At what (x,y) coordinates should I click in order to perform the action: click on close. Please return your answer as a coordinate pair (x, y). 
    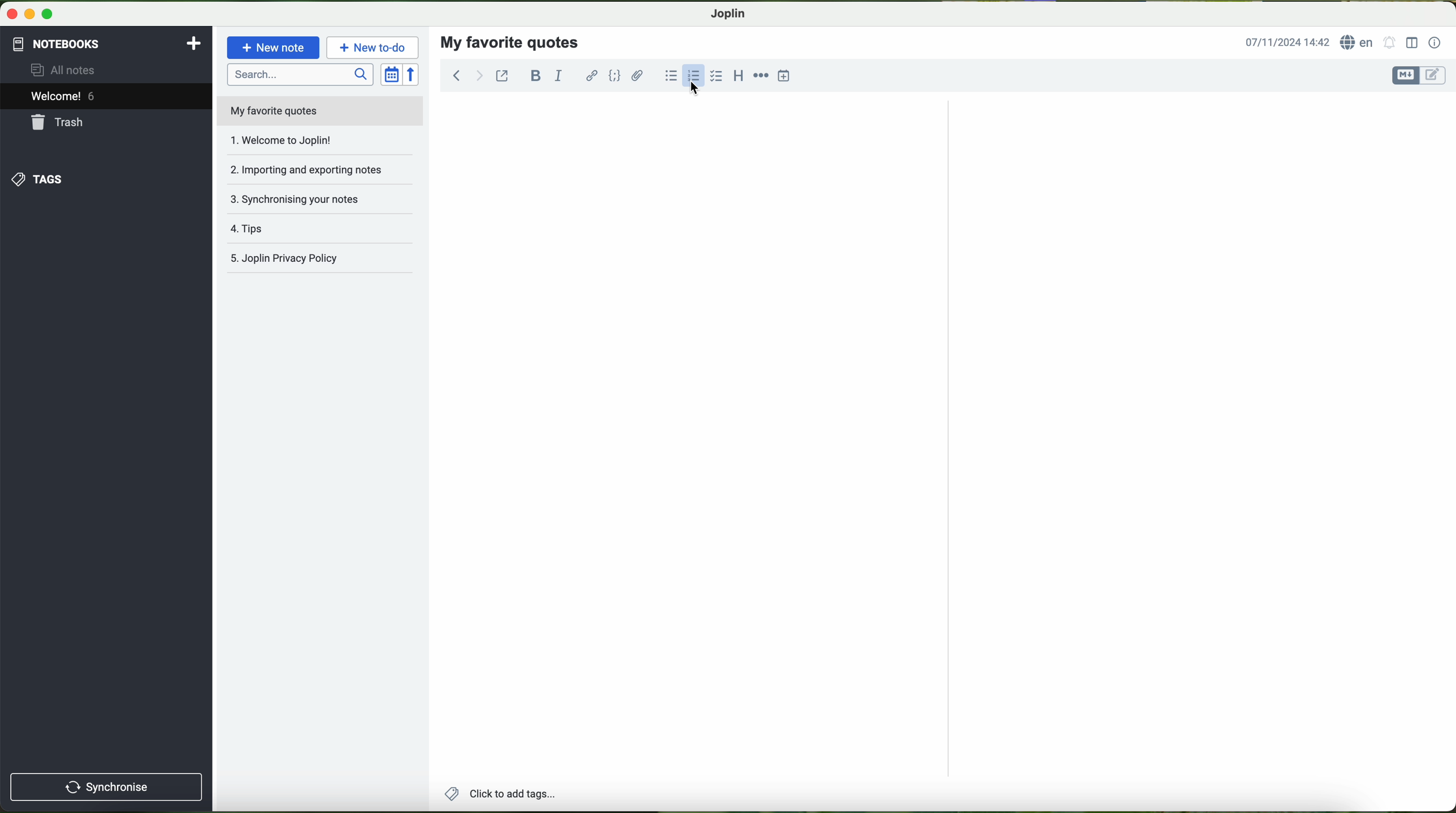
    Looking at the image, I should click on (9, 16).